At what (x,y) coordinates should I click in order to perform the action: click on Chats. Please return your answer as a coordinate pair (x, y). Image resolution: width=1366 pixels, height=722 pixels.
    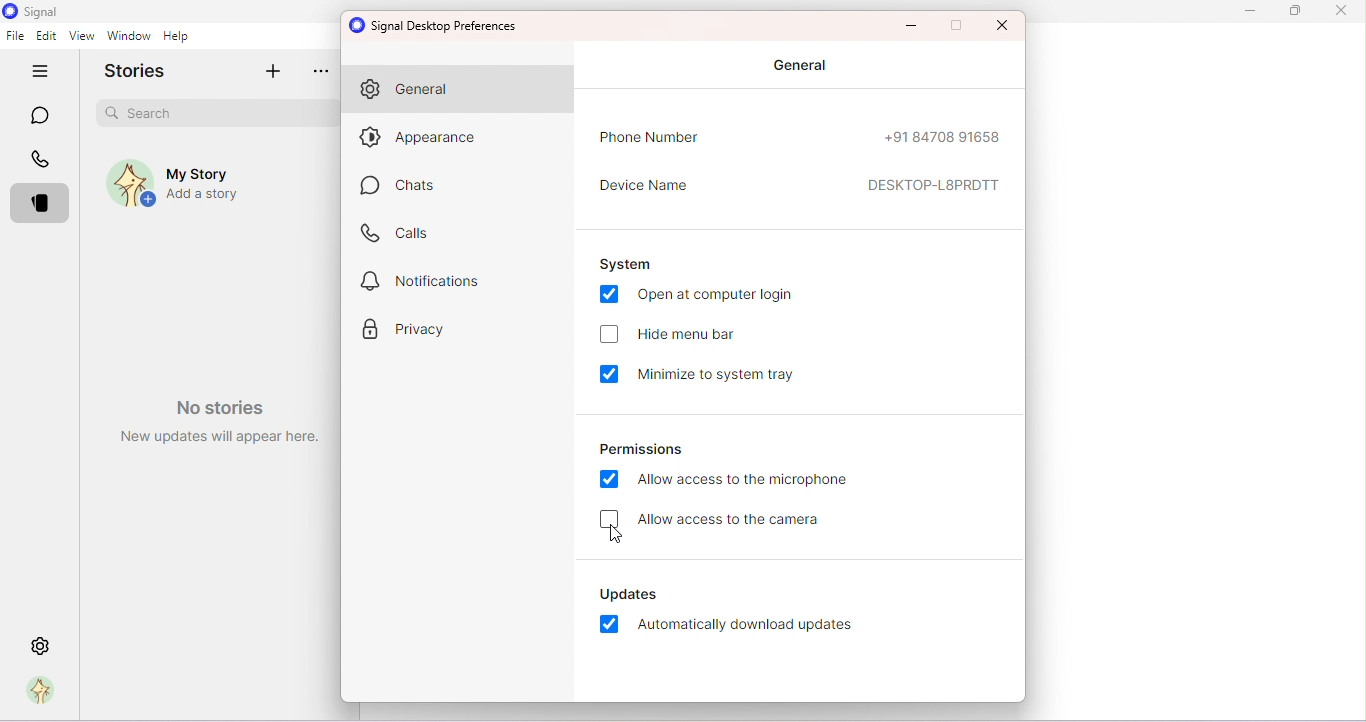
    Looking at the image, I should click on (42, 118).